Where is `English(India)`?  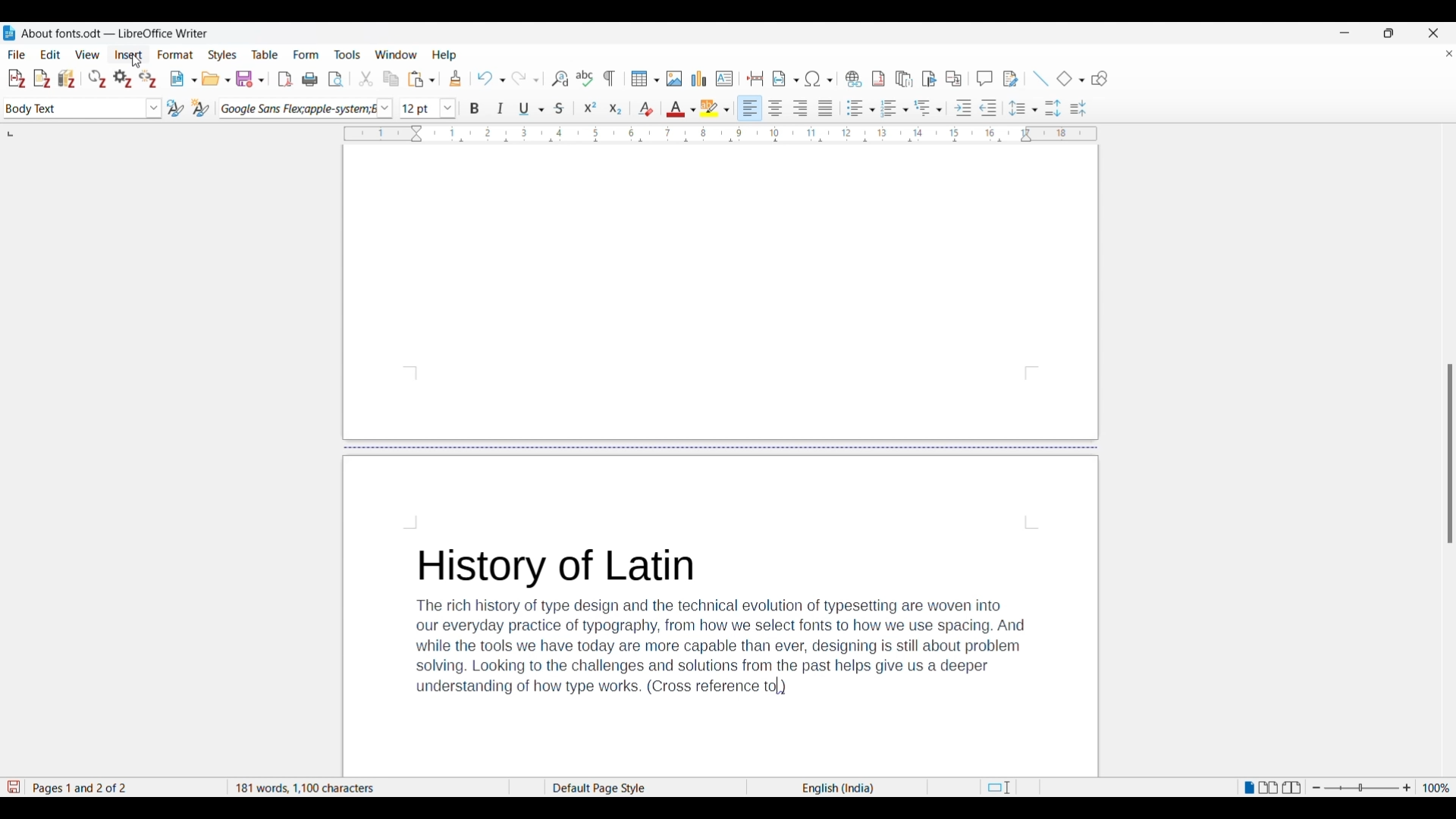 English(India) is located at coordinates (825, 788).